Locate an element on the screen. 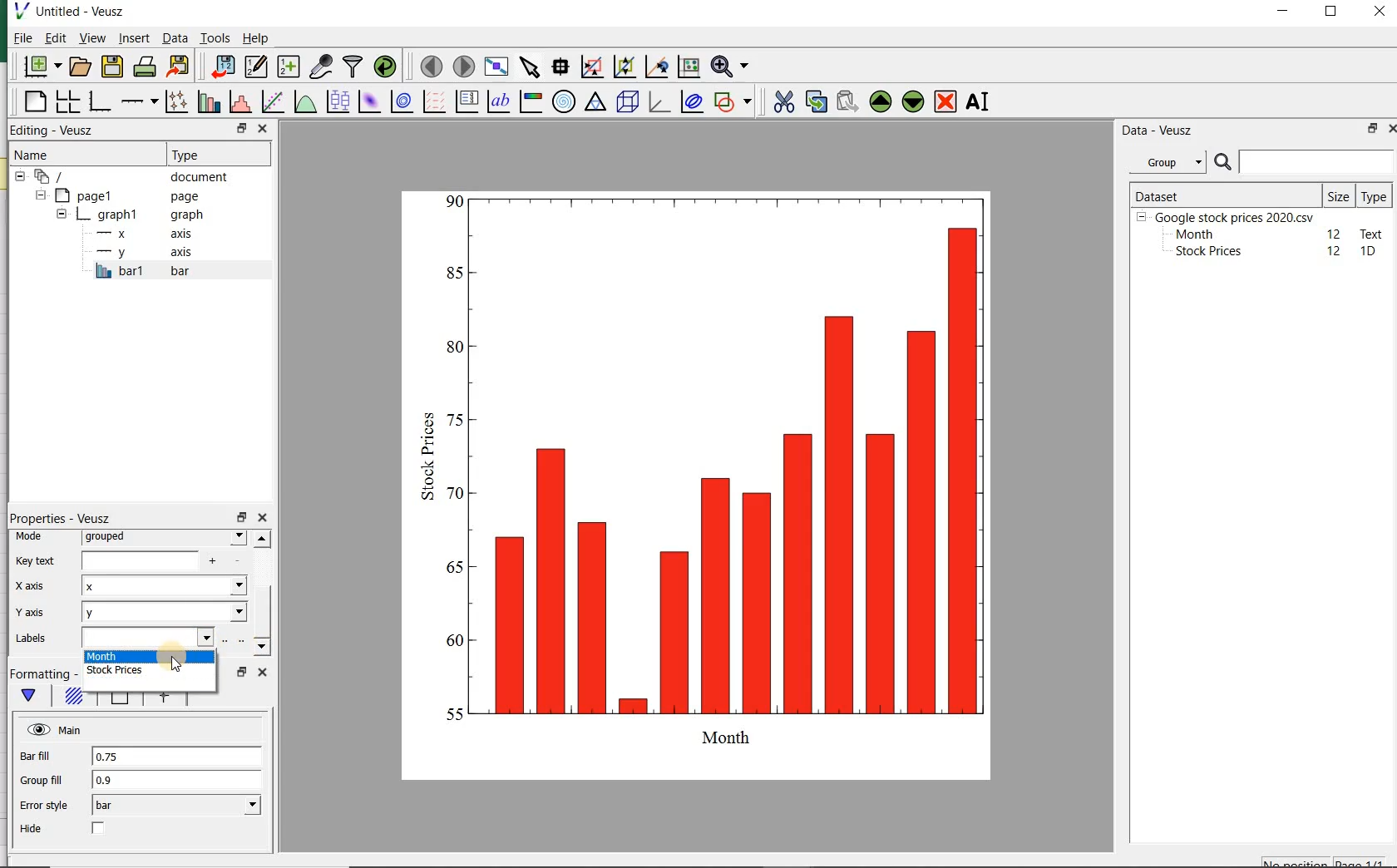 Image resolution: width=1397 pixels, height=868 pixels. input field is located at coordinates (150, 637).